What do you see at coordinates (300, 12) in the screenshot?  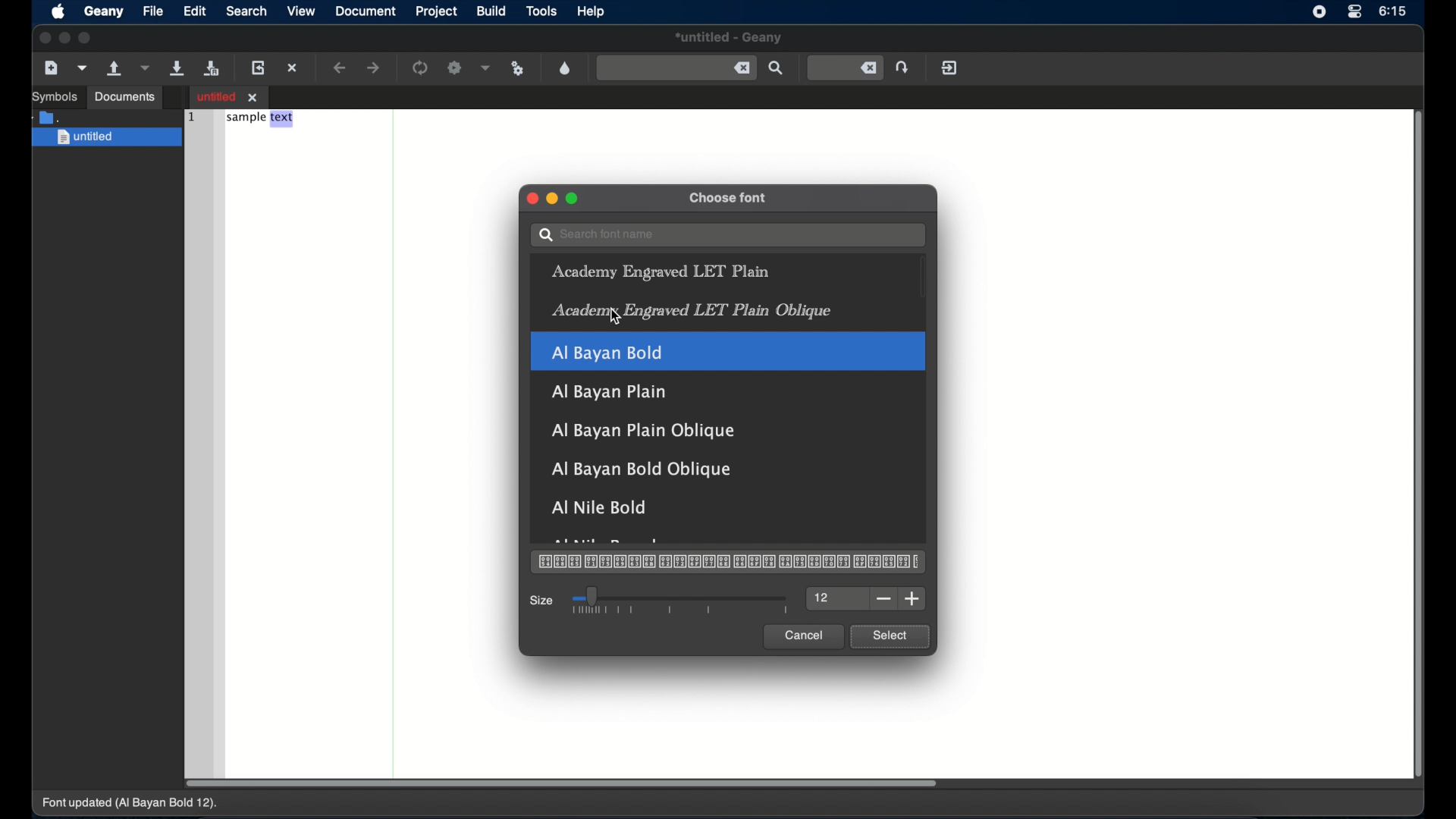 I see `view` at bounding box center [300, 12].